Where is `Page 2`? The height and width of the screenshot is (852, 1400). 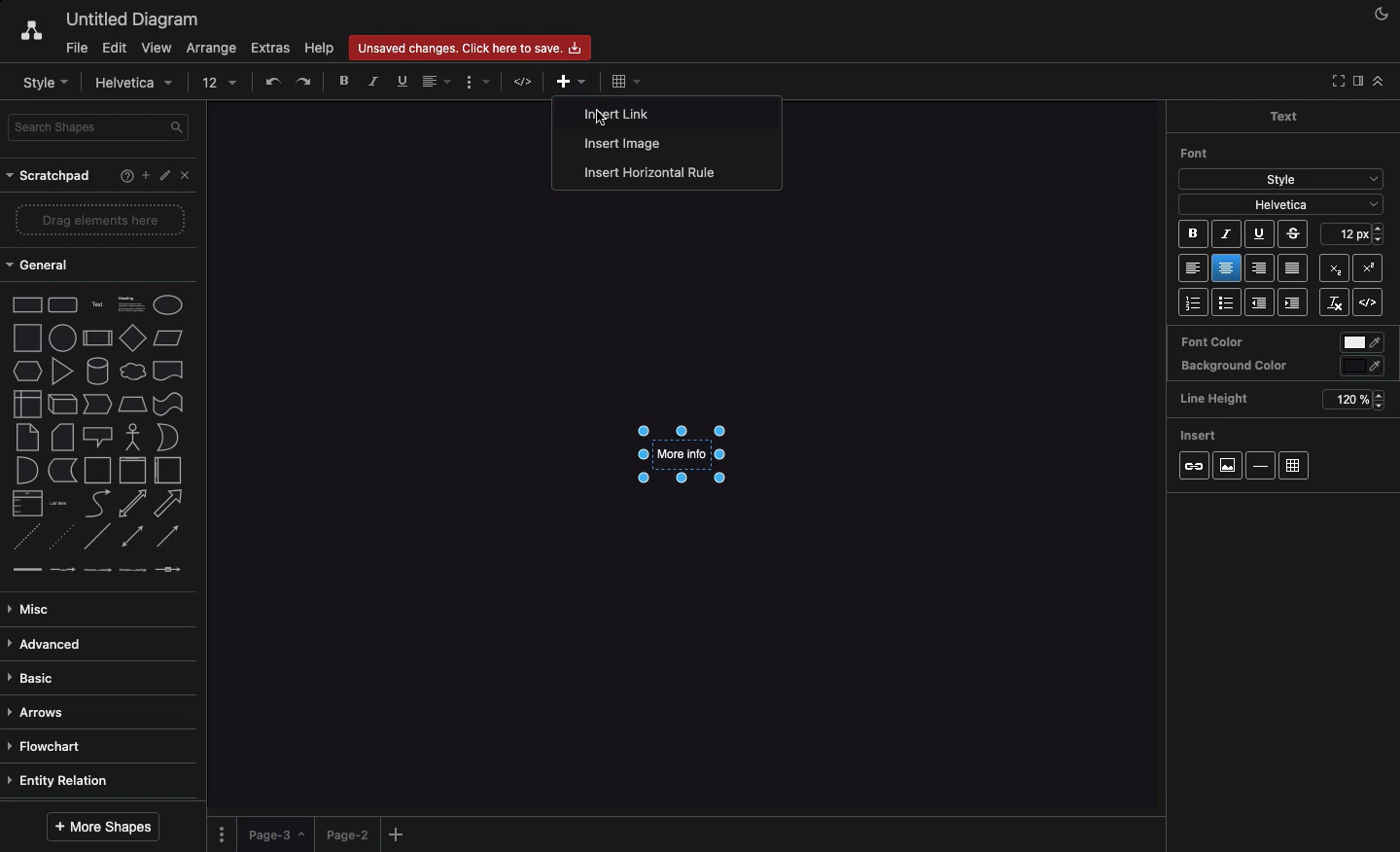
Page 2 is located at coordinates (345, 834).